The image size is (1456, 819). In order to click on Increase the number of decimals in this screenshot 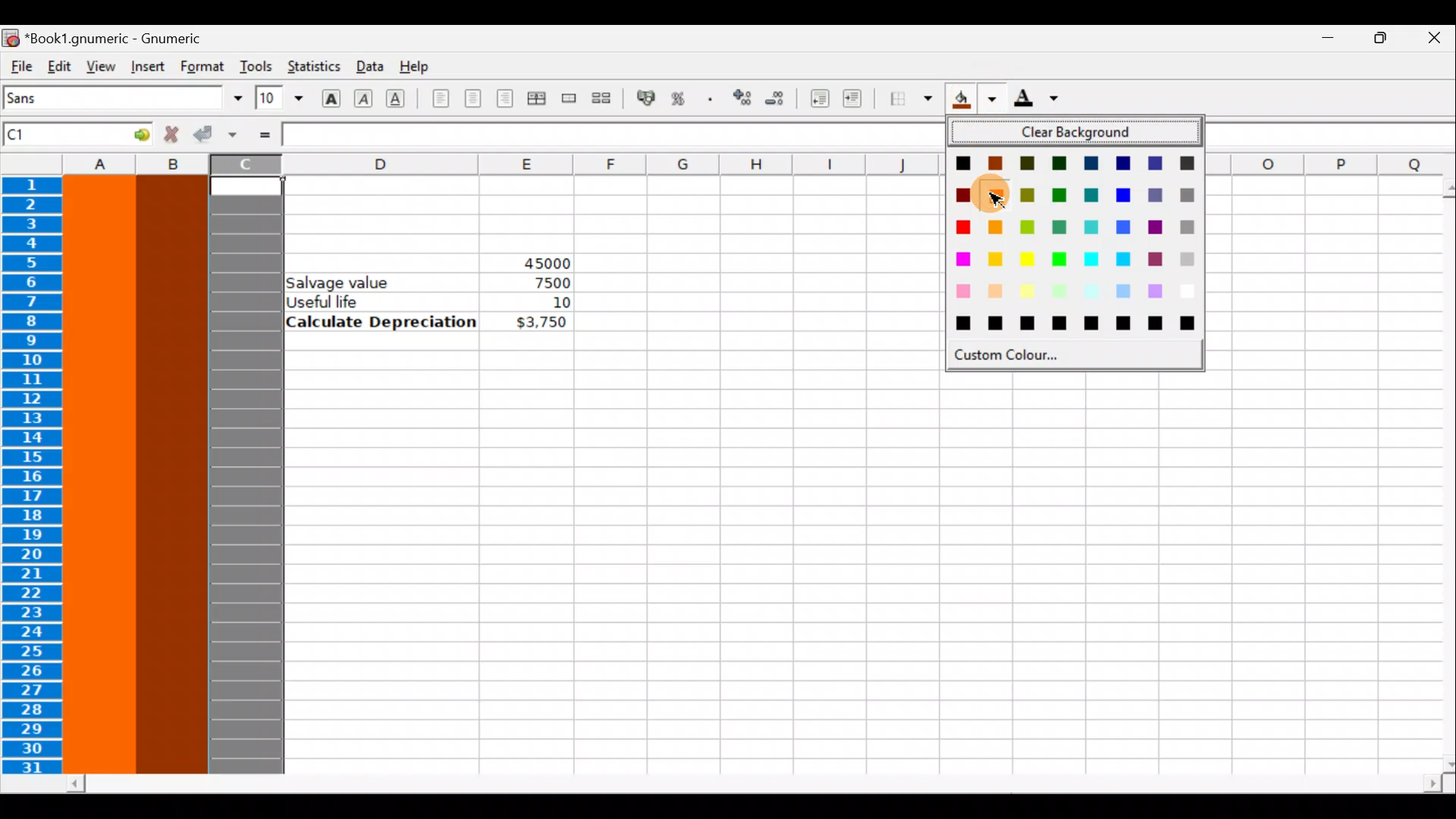, I will do `click(741, 99)`.